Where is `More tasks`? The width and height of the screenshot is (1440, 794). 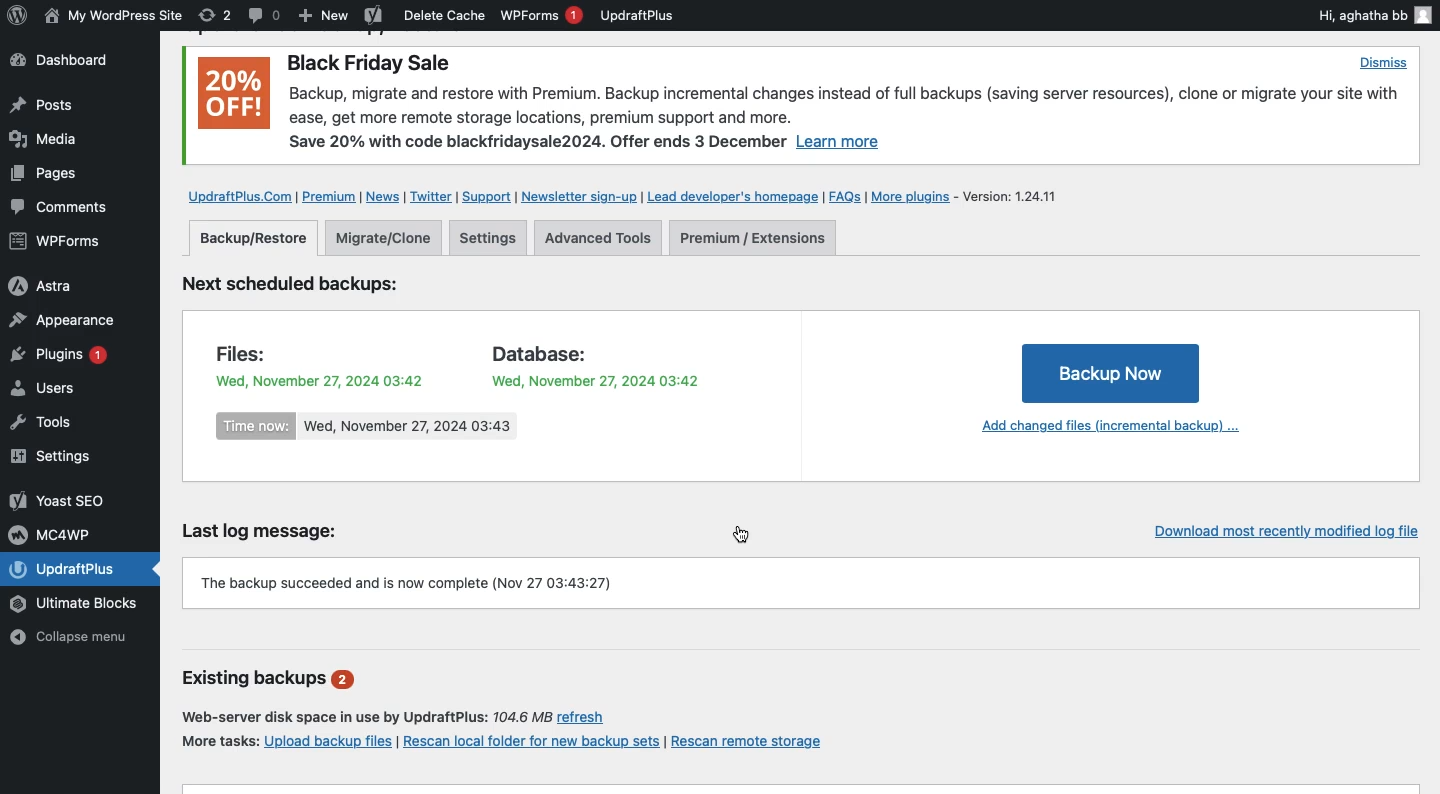
More tasks is located at coordinates (215, 739).